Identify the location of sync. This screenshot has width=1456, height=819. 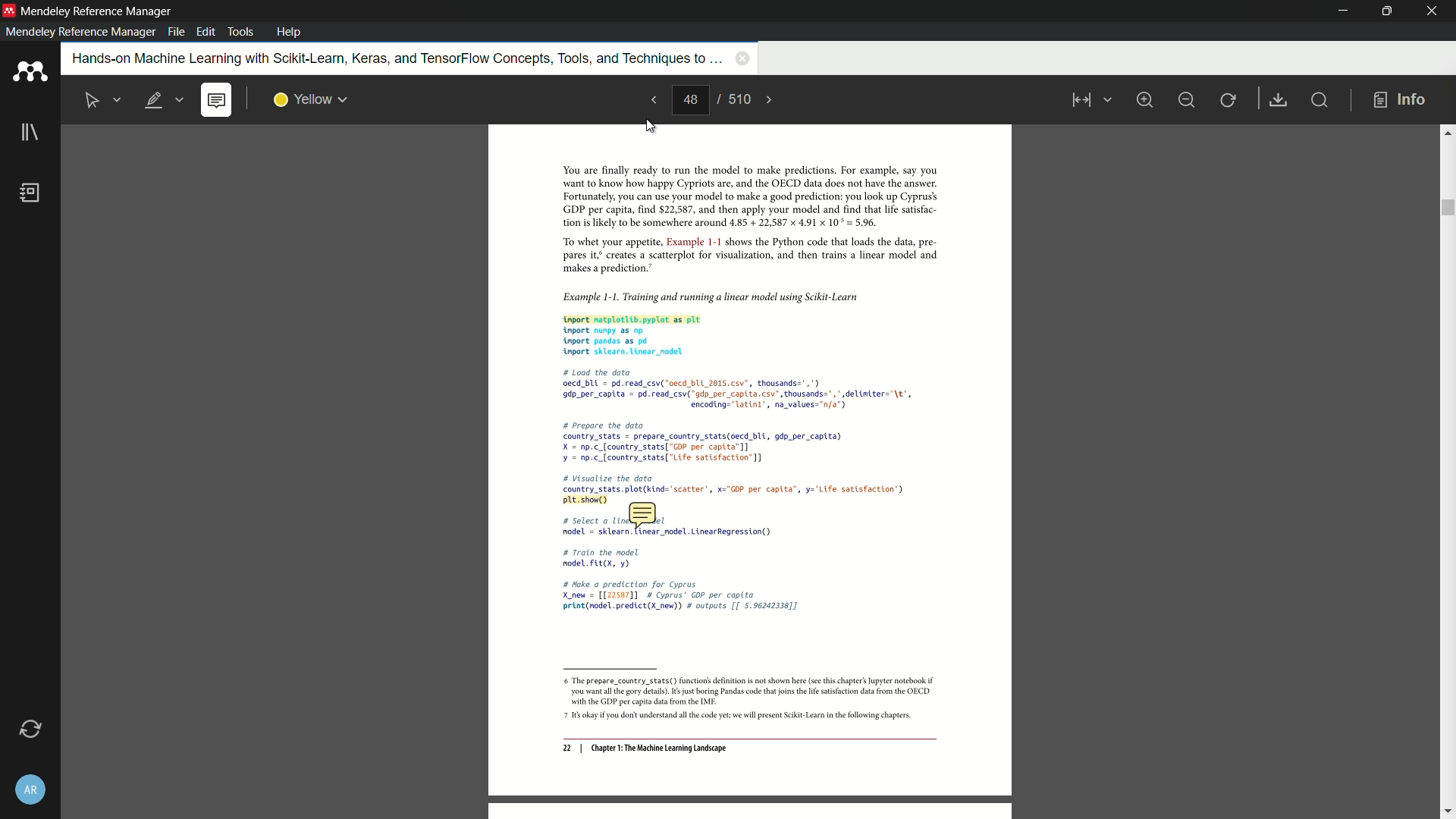
(31, 730).